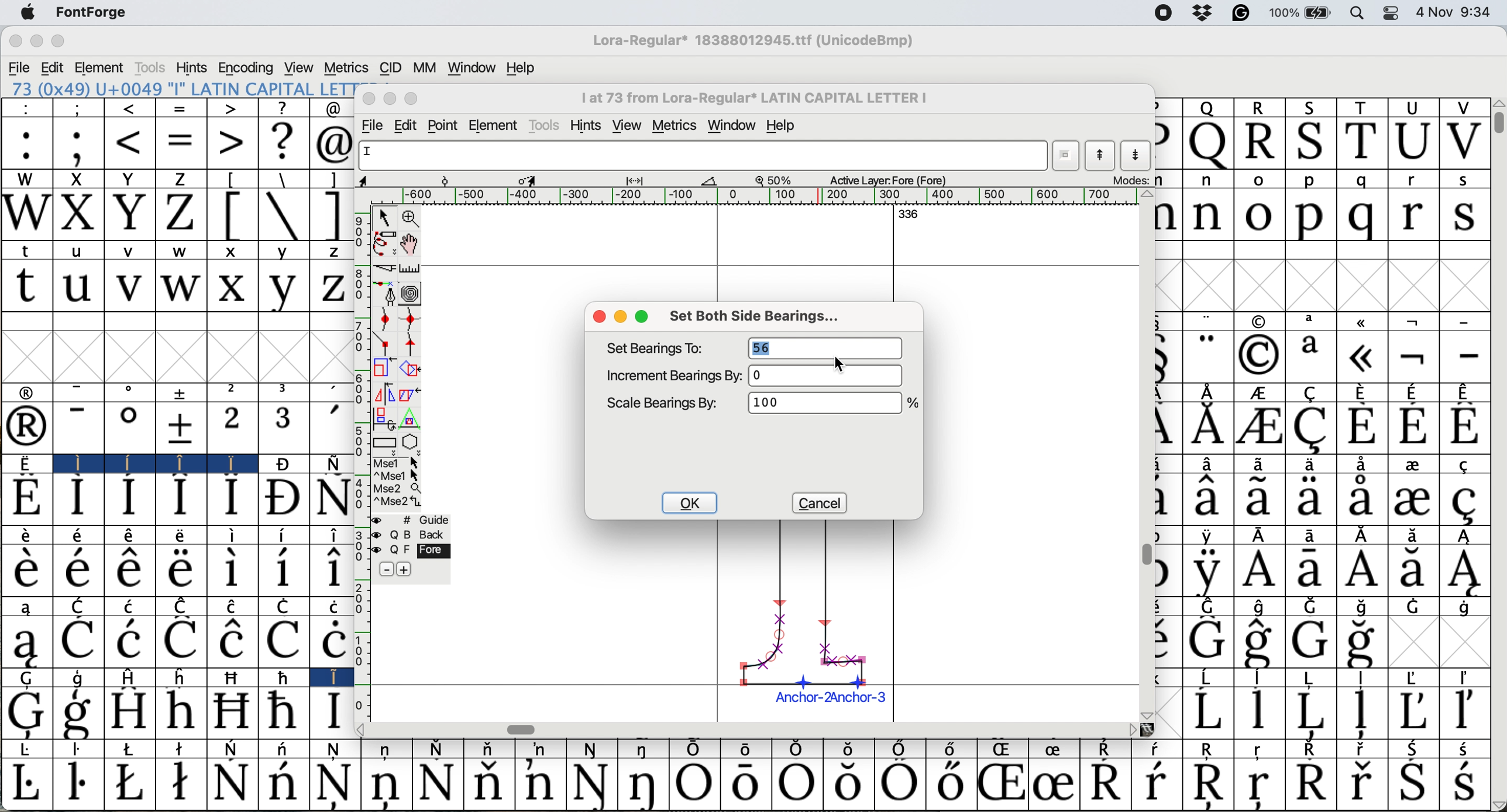 This screenshot has height=812, width=1507. What do you see at coordinates (494, 124) in the screenshot?
I see `element` at bounding box center [494, 124].